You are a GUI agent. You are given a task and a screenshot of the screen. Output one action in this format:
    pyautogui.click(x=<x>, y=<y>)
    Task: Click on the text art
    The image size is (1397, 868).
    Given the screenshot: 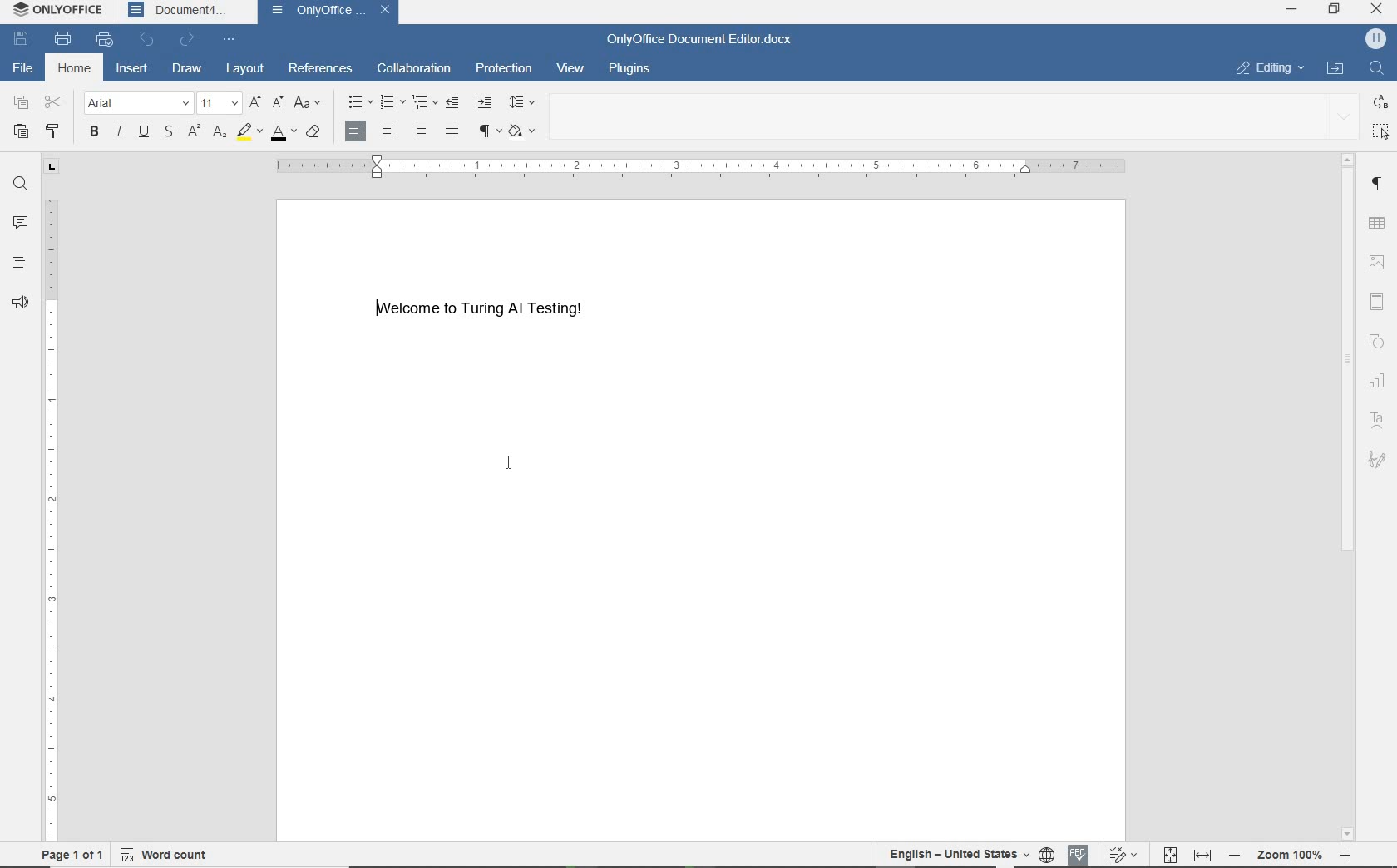 What is the action you would take?
    pyautogui.click(x=1380, y=420)
    